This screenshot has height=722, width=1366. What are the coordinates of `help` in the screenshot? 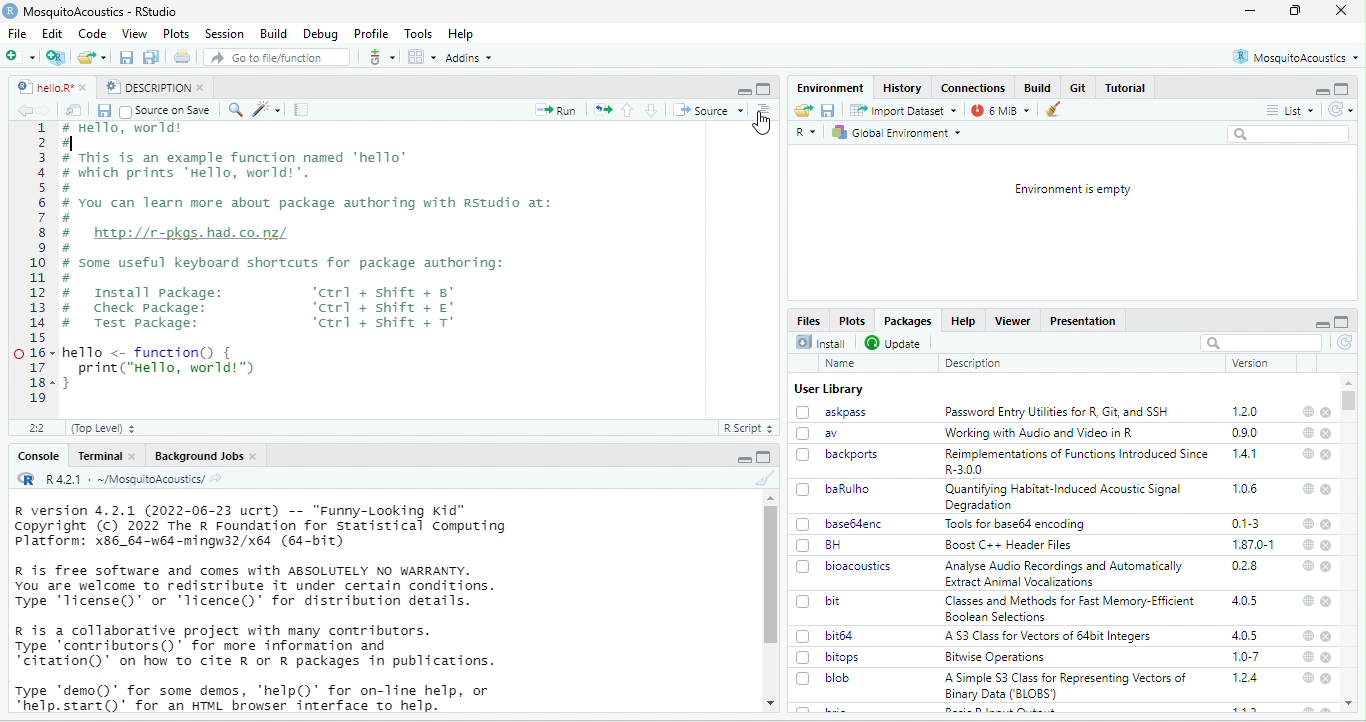 It's located at (1308, 565).